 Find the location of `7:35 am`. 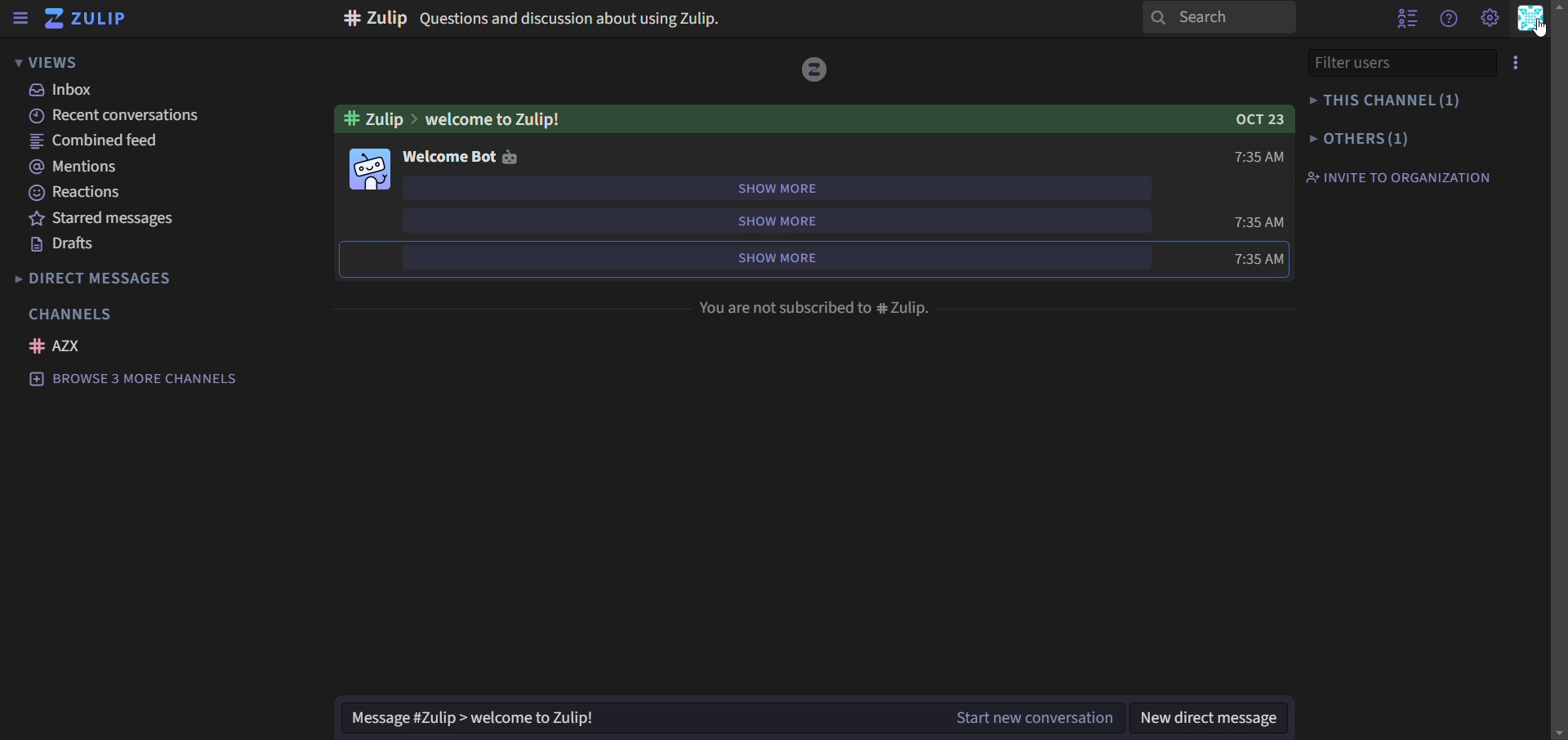

7:35 am is located at coordinates (1228, 257).